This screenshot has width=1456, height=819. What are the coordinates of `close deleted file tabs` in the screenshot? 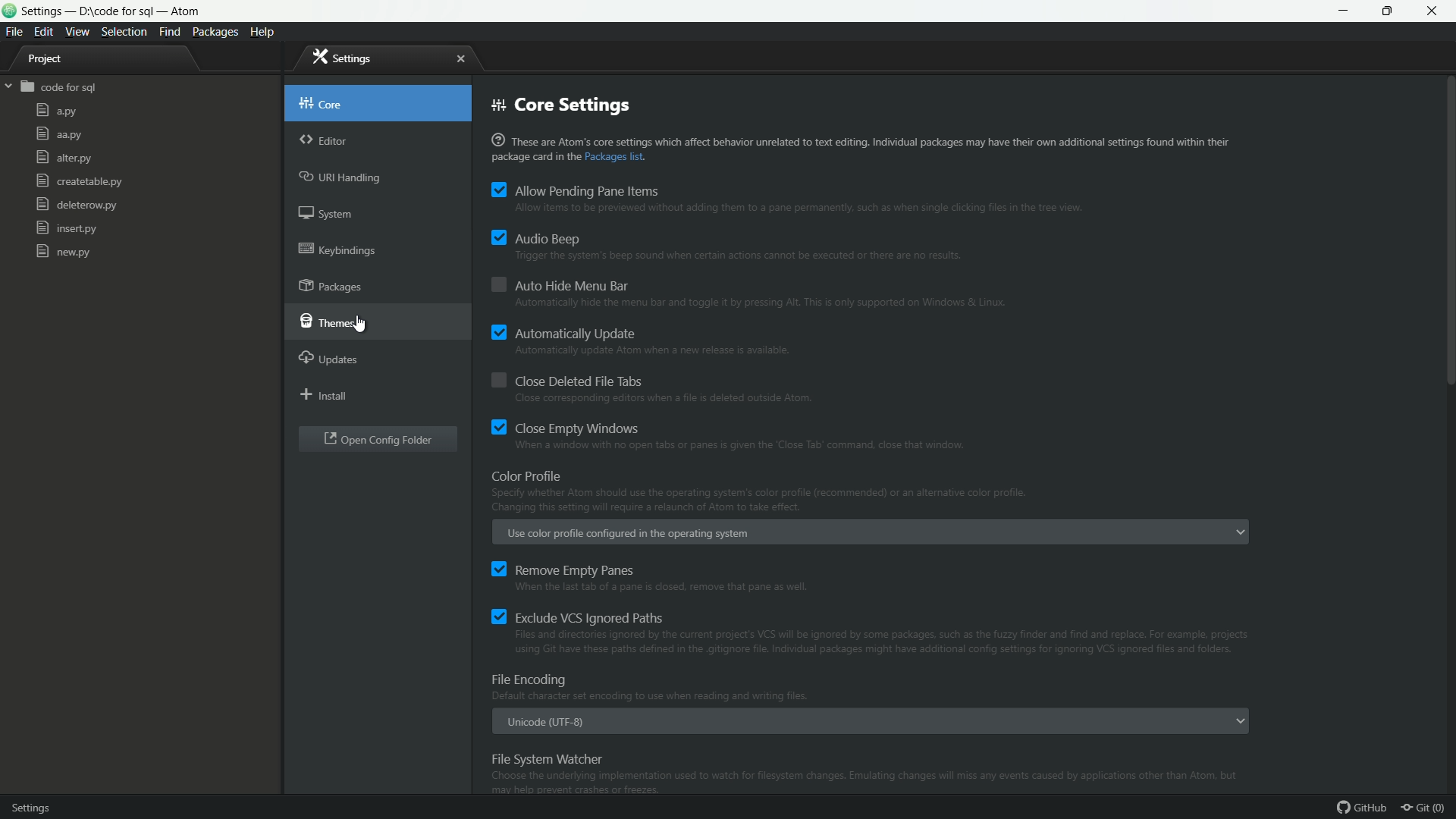 It's located at (565, 381).